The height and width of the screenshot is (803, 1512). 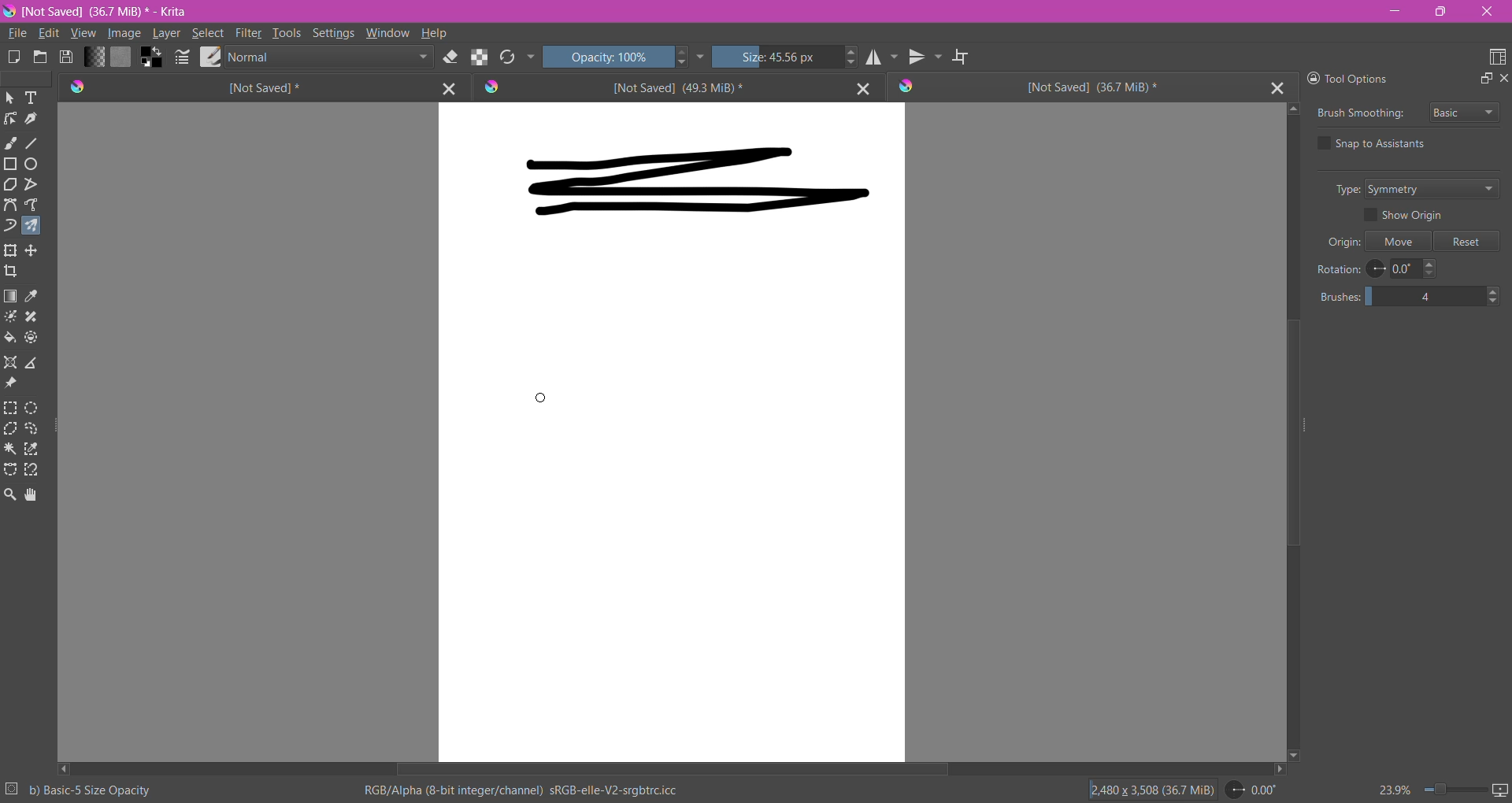 What do you see at coordinates (11, 470) in the screenshot?
I see `Bezier Curve Selection Tool` at bounding box center [11, 470].